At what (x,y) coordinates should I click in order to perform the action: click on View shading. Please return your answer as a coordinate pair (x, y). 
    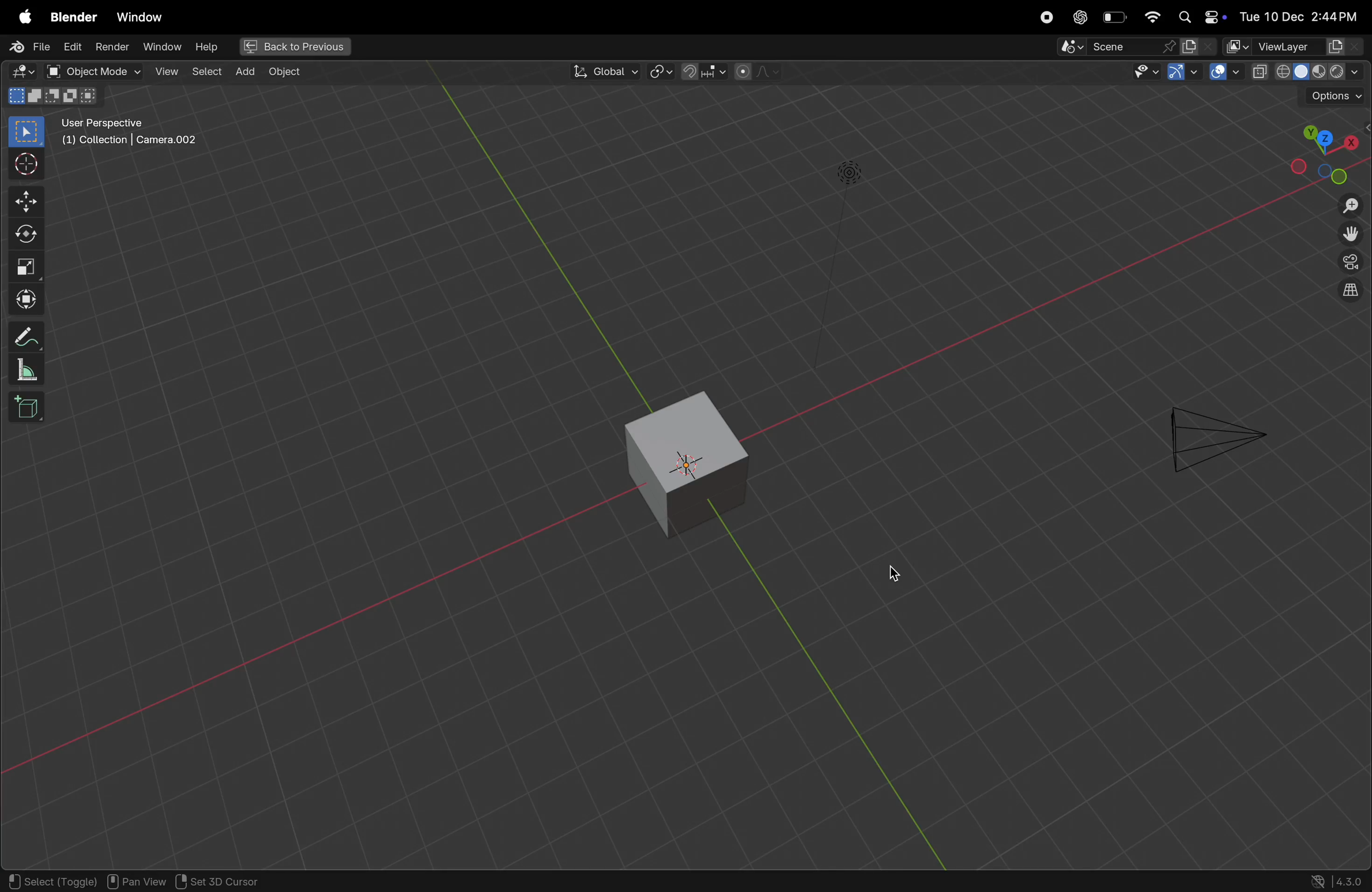
    Looking at the image, I should click on (1306, 74).